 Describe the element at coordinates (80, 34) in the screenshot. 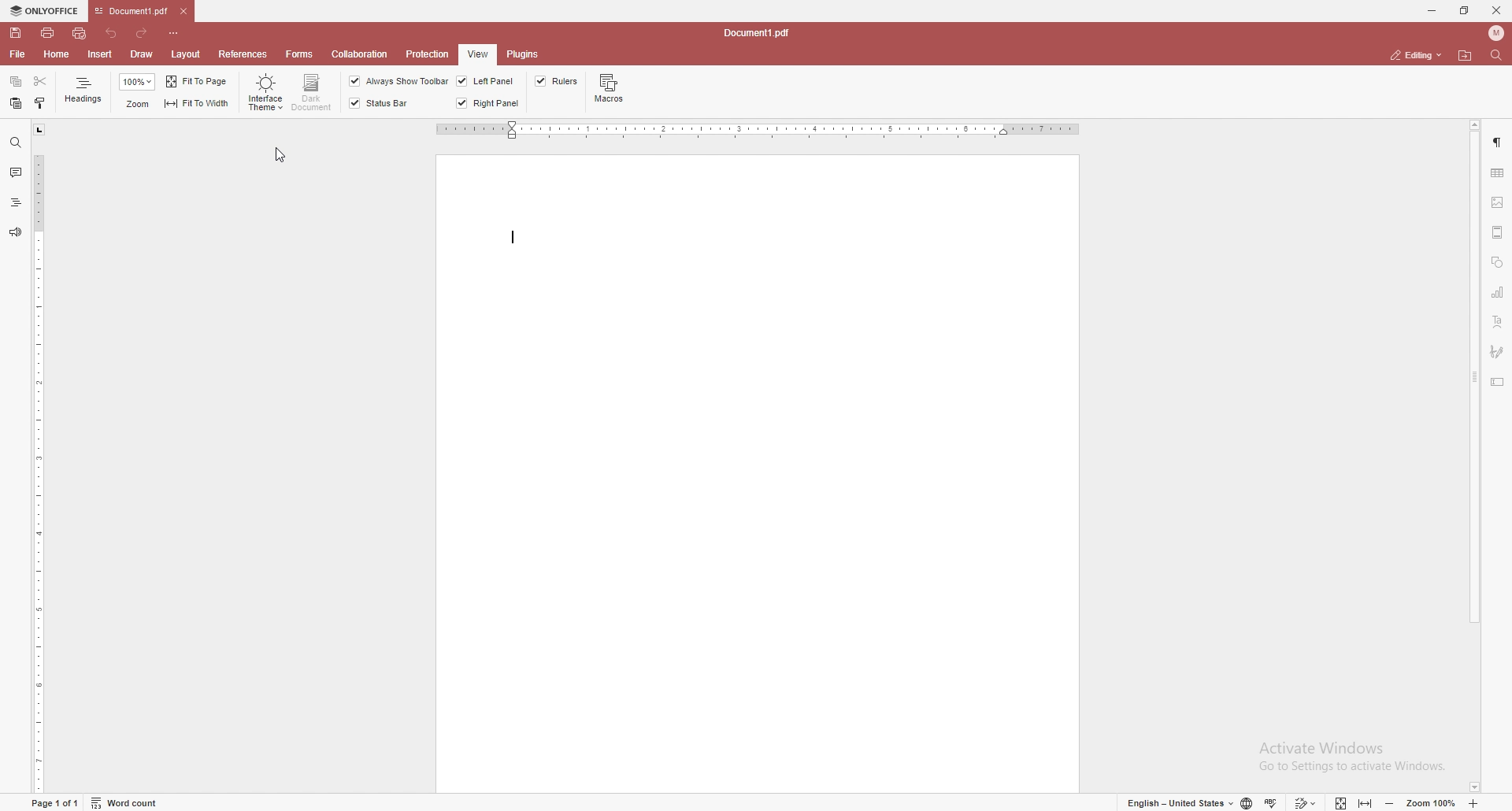

I see `quick print` at that location.